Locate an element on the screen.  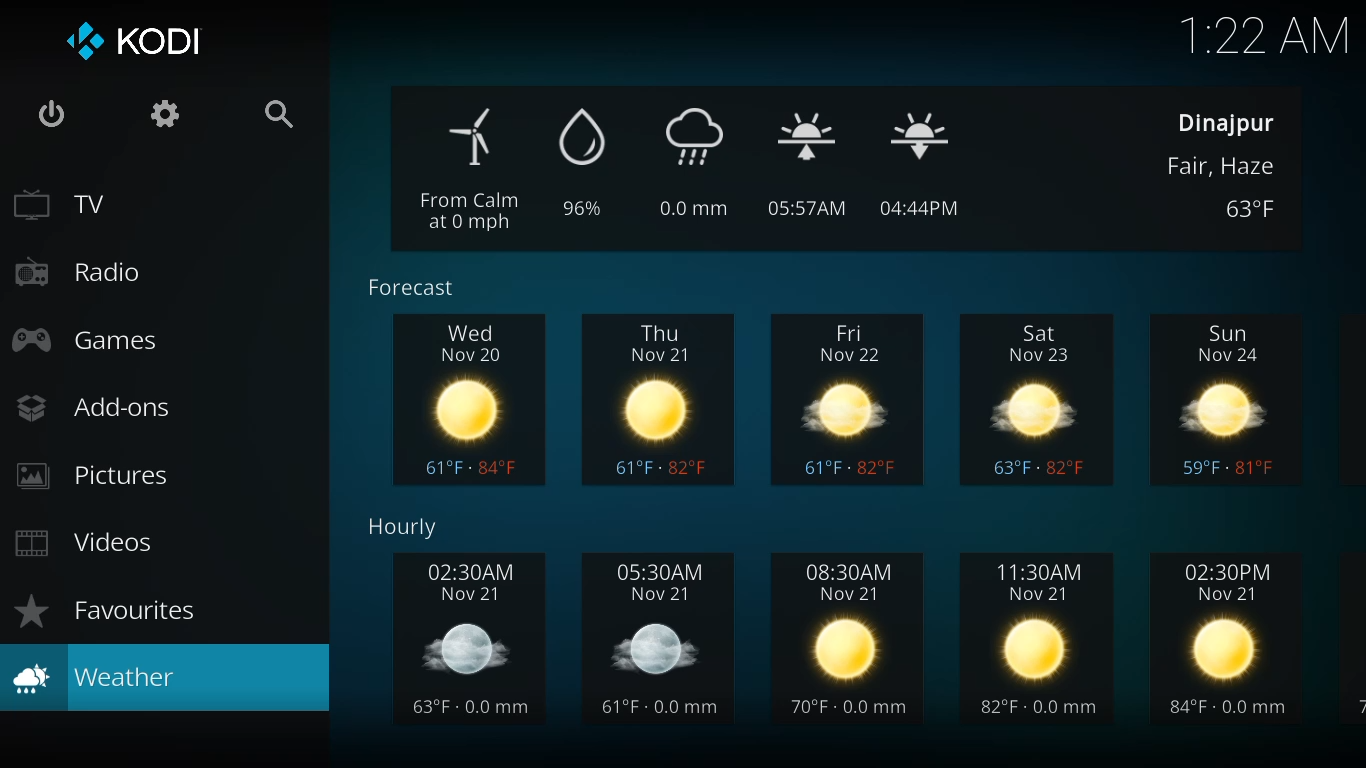
5:30 is located at coordinates (664, 639).